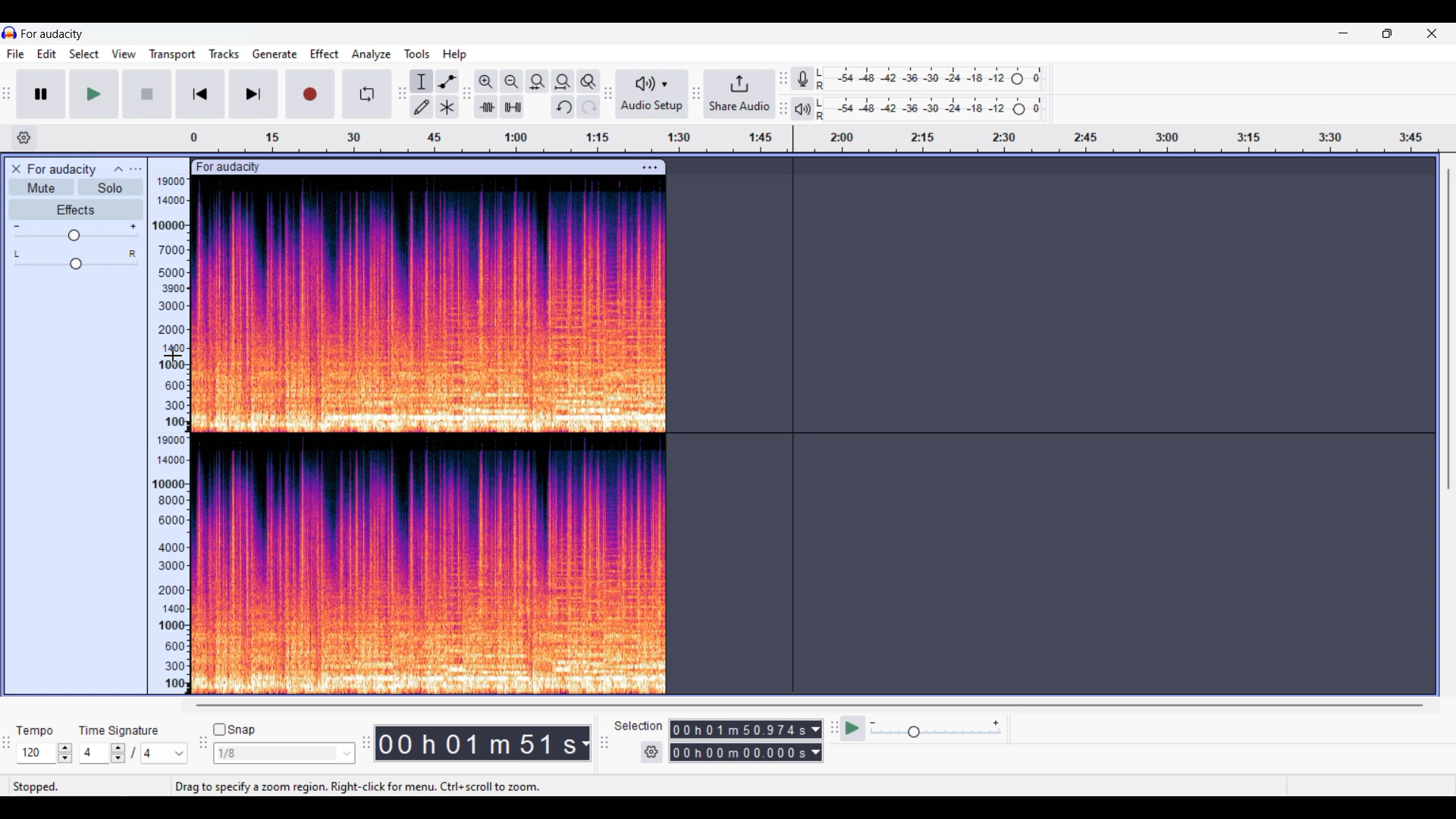  What do you see at coordinates (418, 54) in the screenshot?
I see `Tools menu` at bounding box center [418, 54].